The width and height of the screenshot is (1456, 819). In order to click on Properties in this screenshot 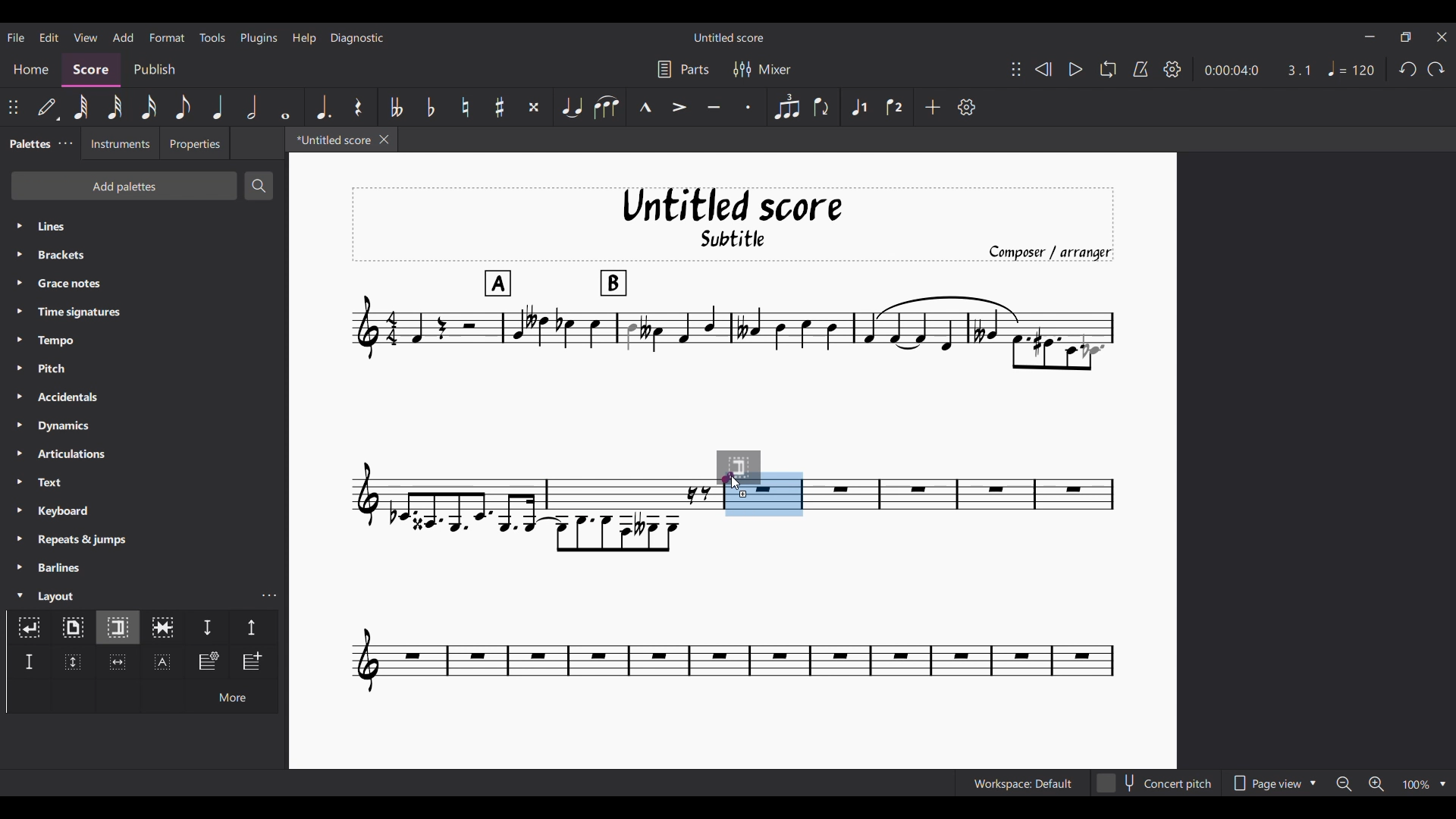, I will do `click(195, 143)`.